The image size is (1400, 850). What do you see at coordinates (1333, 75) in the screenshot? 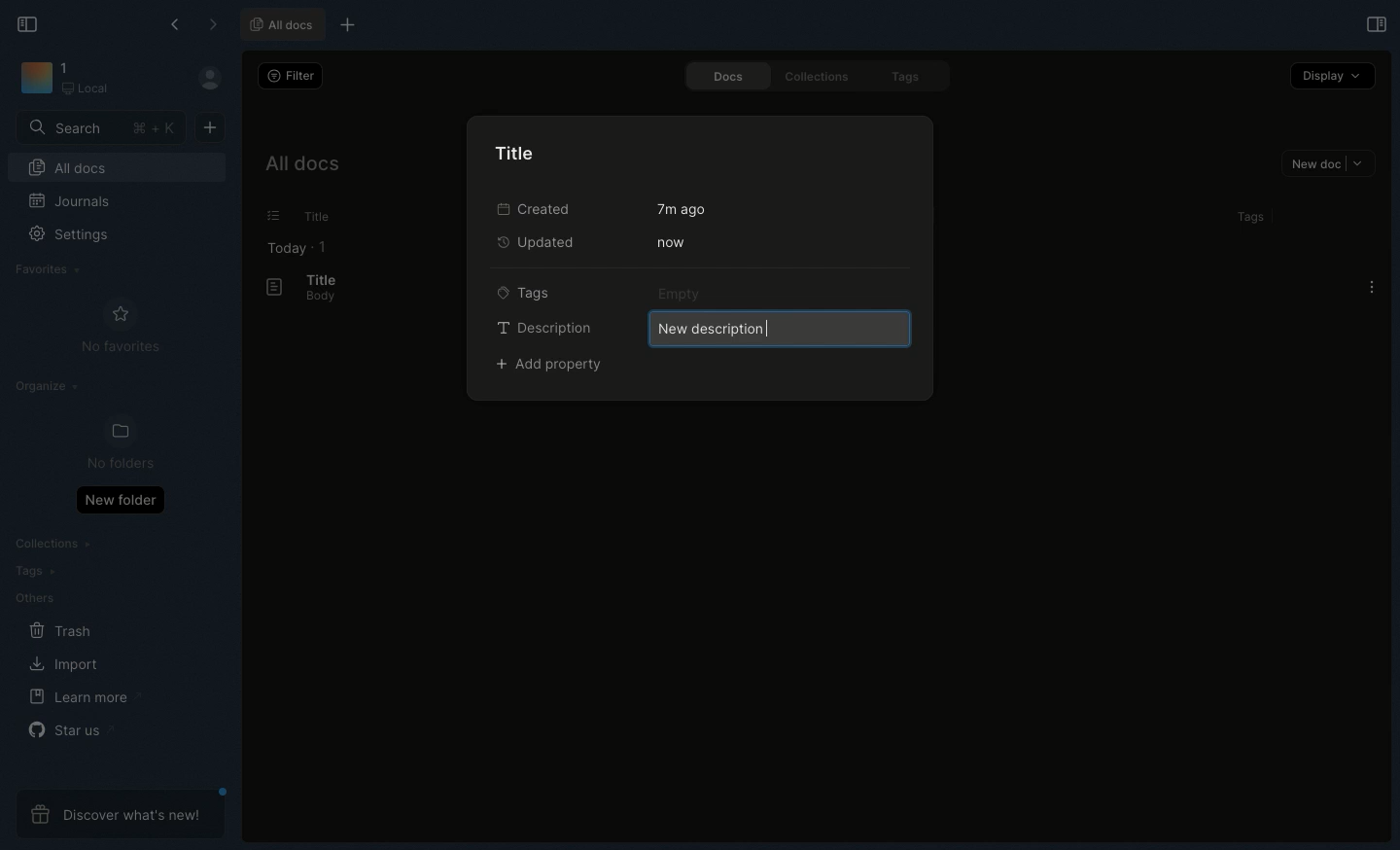
I see `Display` at bounding box center [1333, 75].